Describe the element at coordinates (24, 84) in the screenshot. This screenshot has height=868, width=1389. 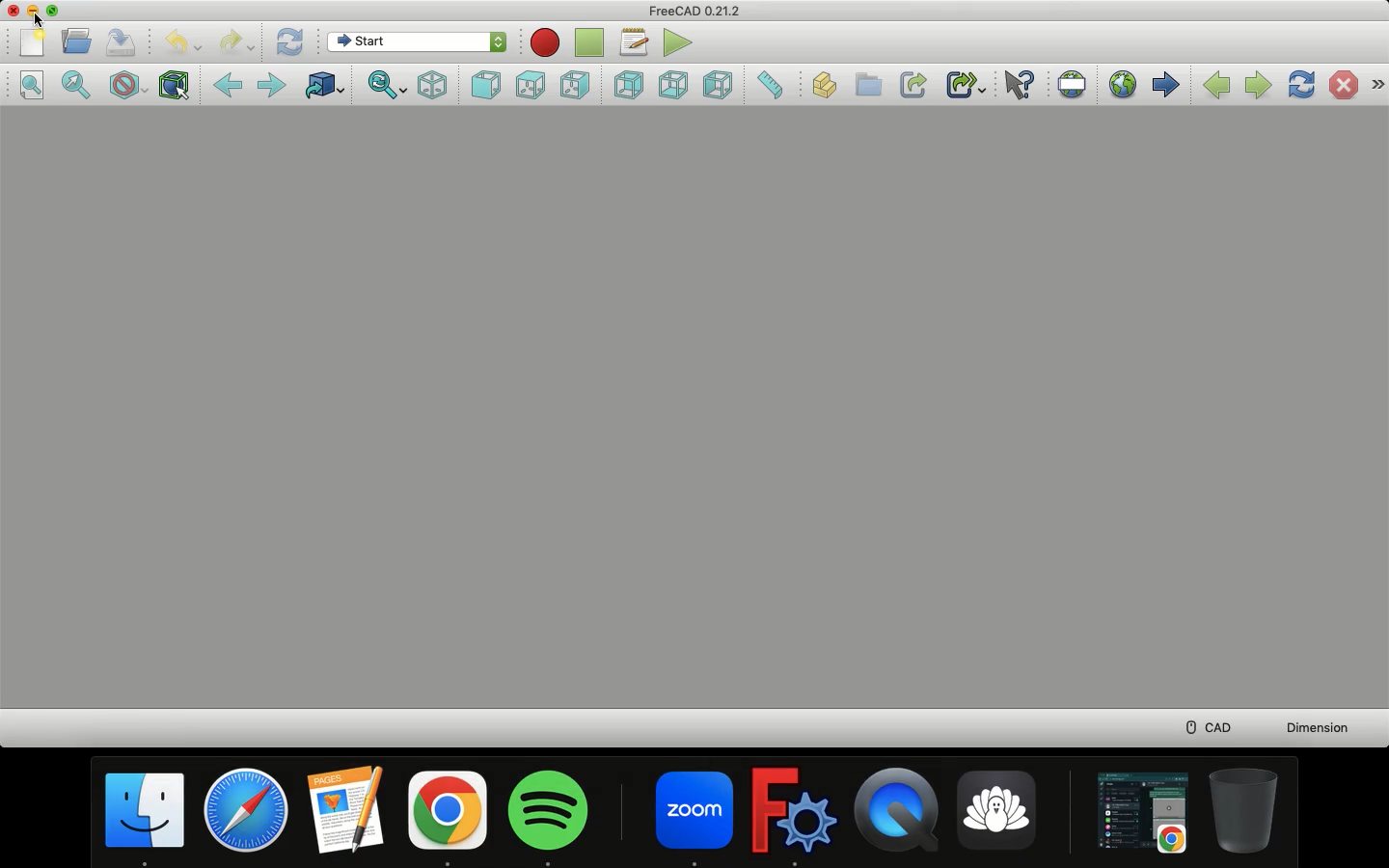
I see `Fit all` at that location.